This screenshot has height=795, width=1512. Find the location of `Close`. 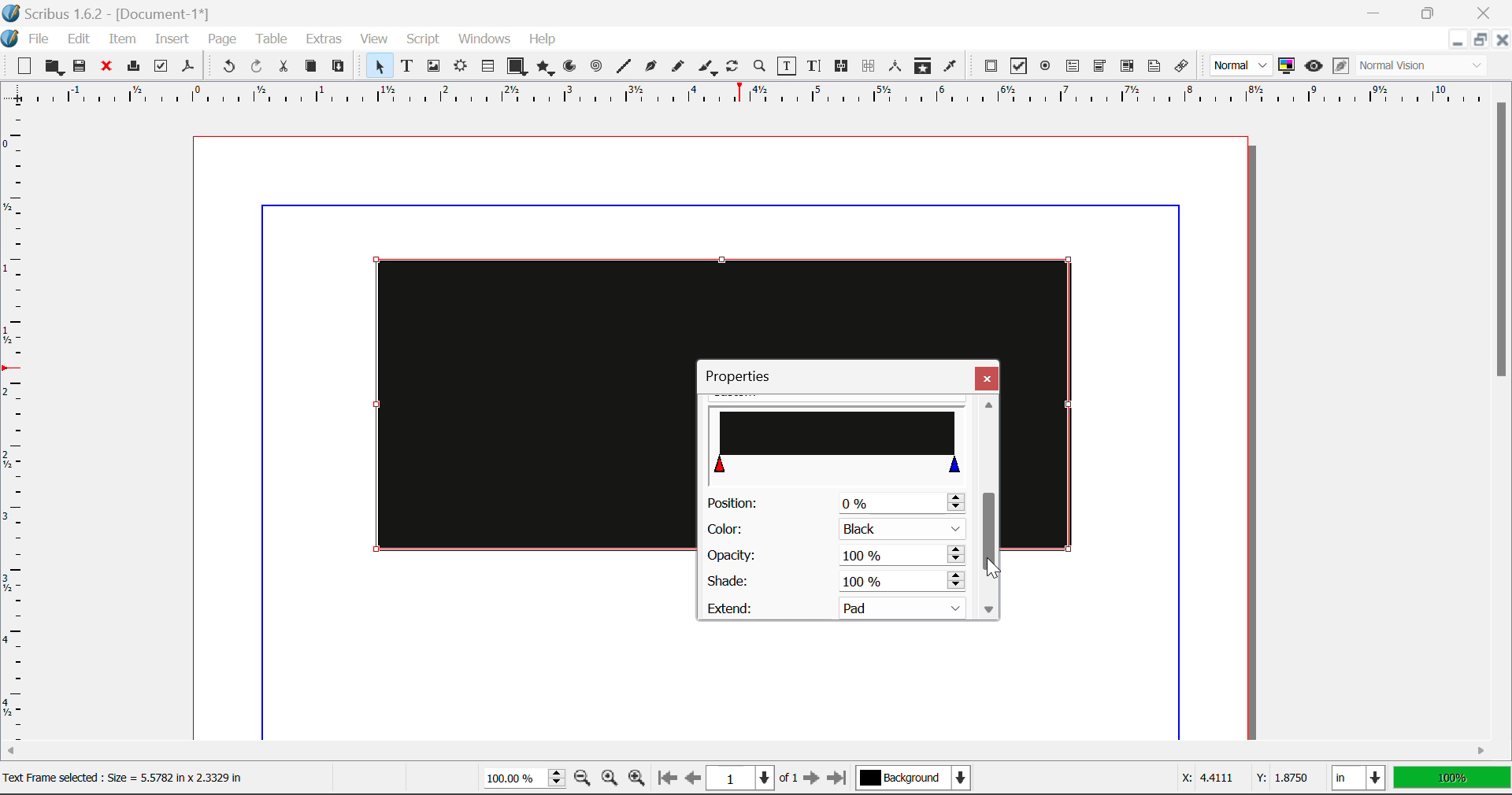

Close is located at coordinates (1487, 11).